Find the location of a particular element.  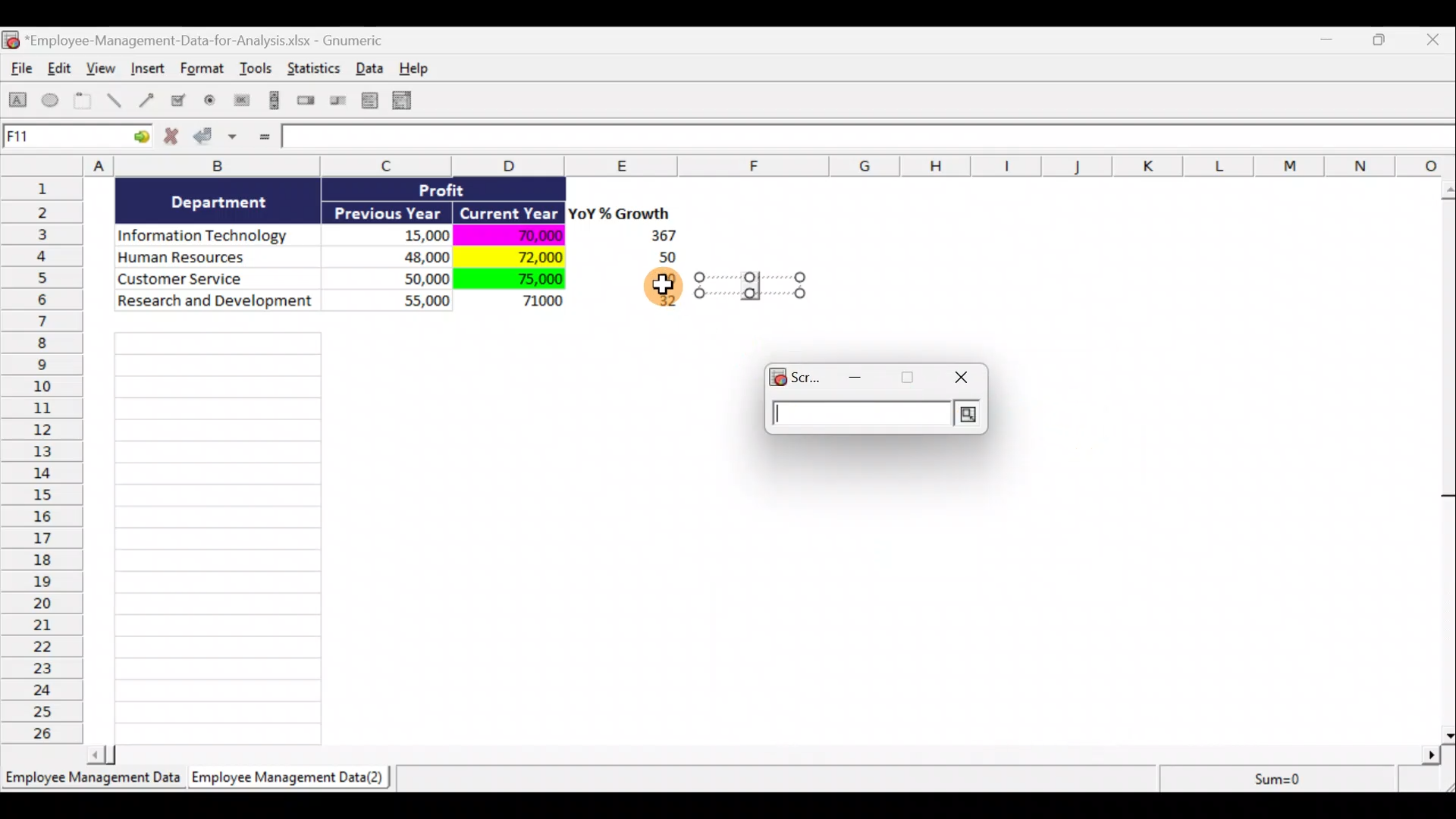

Insert is located at coordinates (147, 71).